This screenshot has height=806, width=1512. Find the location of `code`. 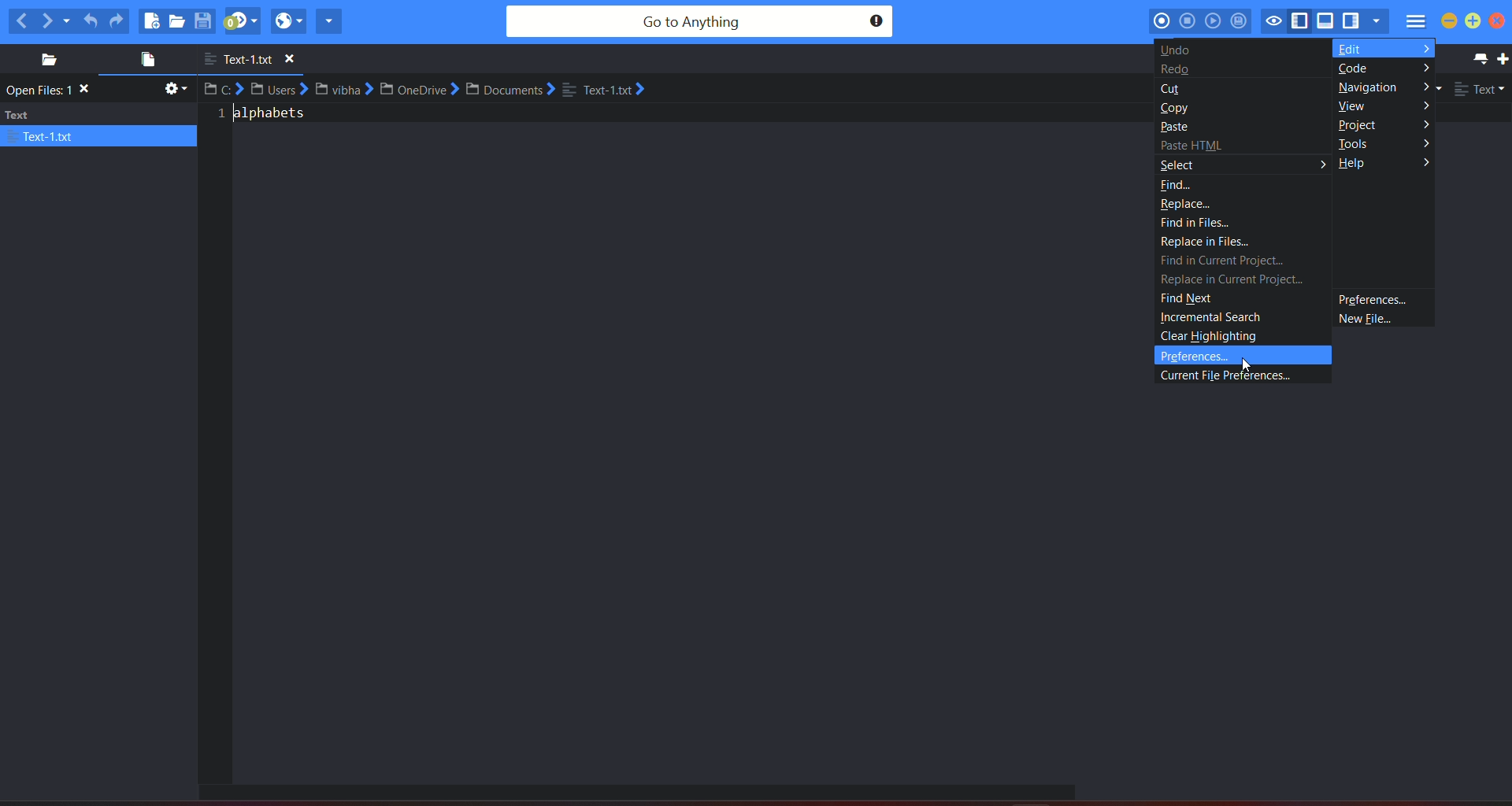

code is located at coordinates (1357, 68).